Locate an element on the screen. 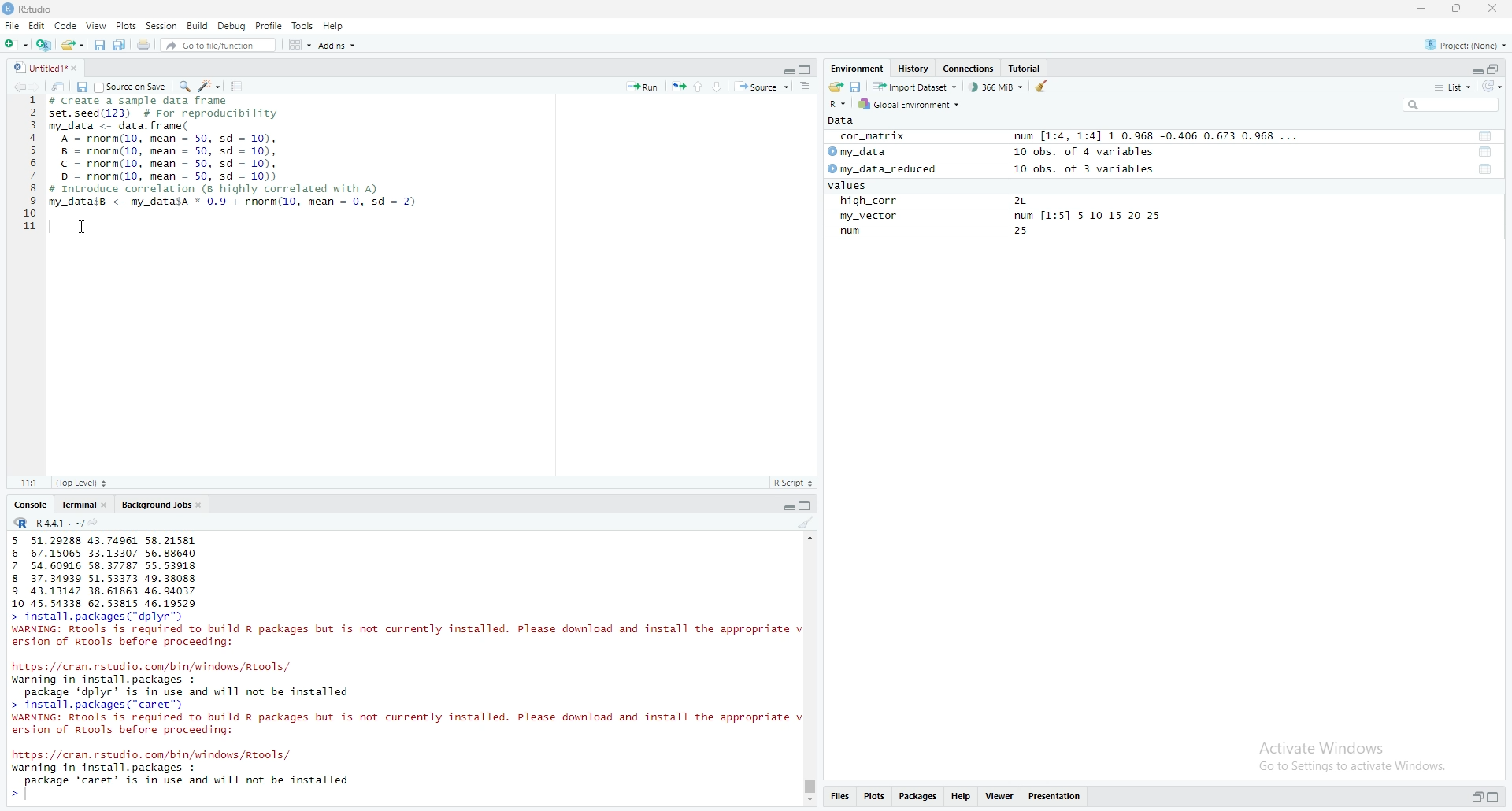 The image size is (1512, 811). Environment  is located at coordinates (858, 68).